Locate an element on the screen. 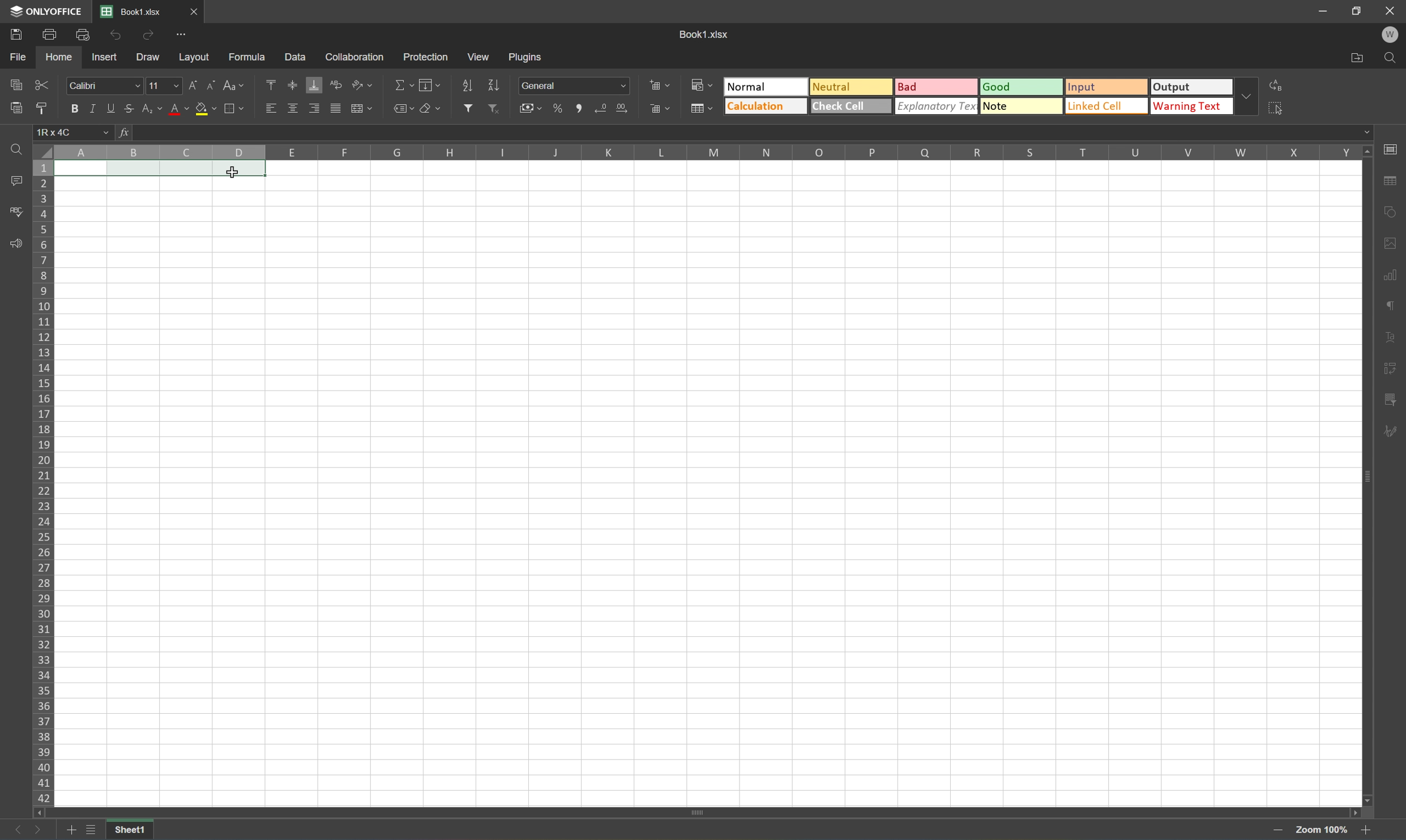 Image resolution: width=1406 pixels, height=840 pixels. Formula is located at coordinates (251, 56).